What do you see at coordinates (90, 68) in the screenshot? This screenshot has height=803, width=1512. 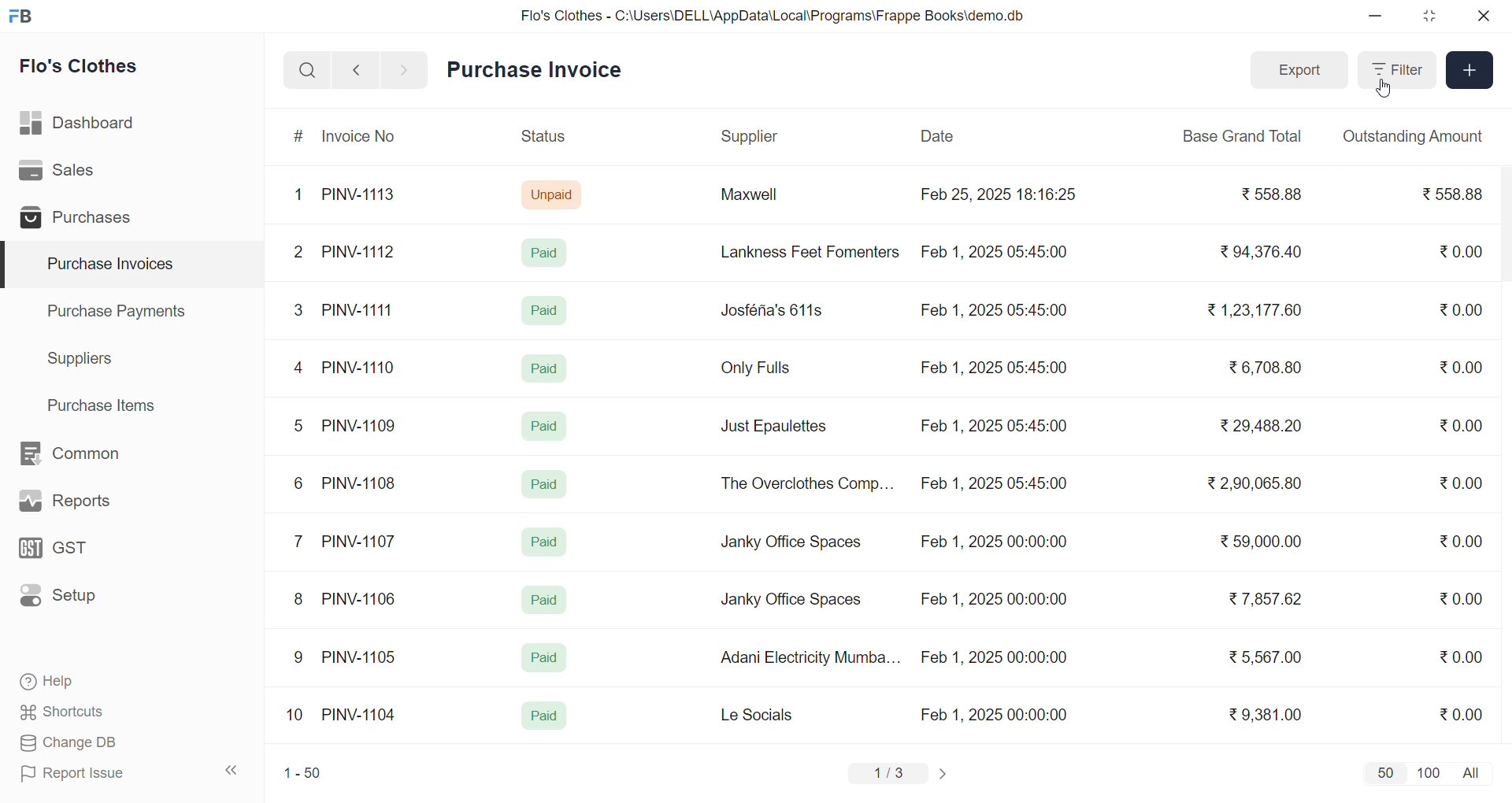 I see `Flo's Clothes` at bounding box center [90, 68].